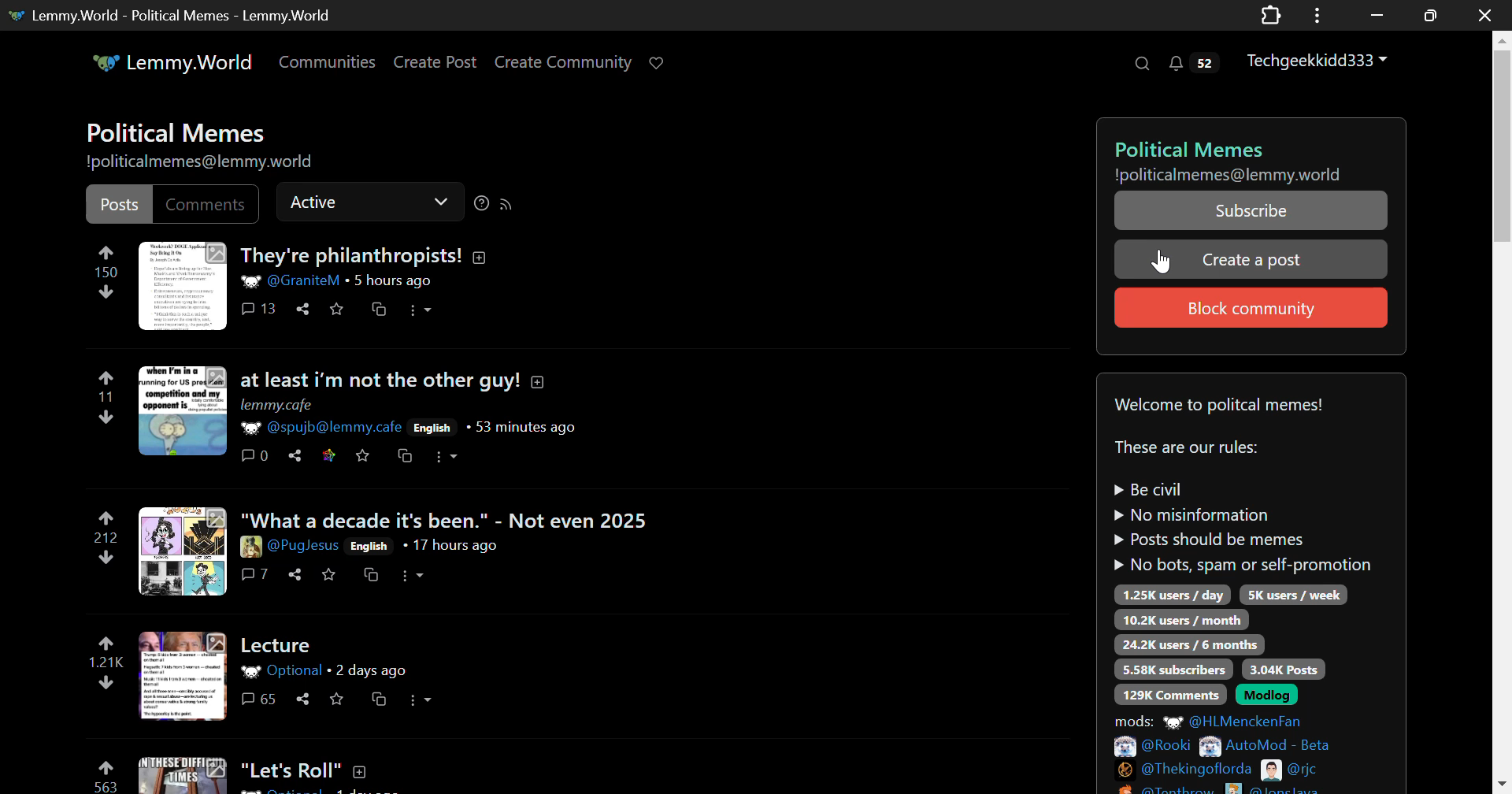  I want to click on Post Vote Counter, so click(107, 274).